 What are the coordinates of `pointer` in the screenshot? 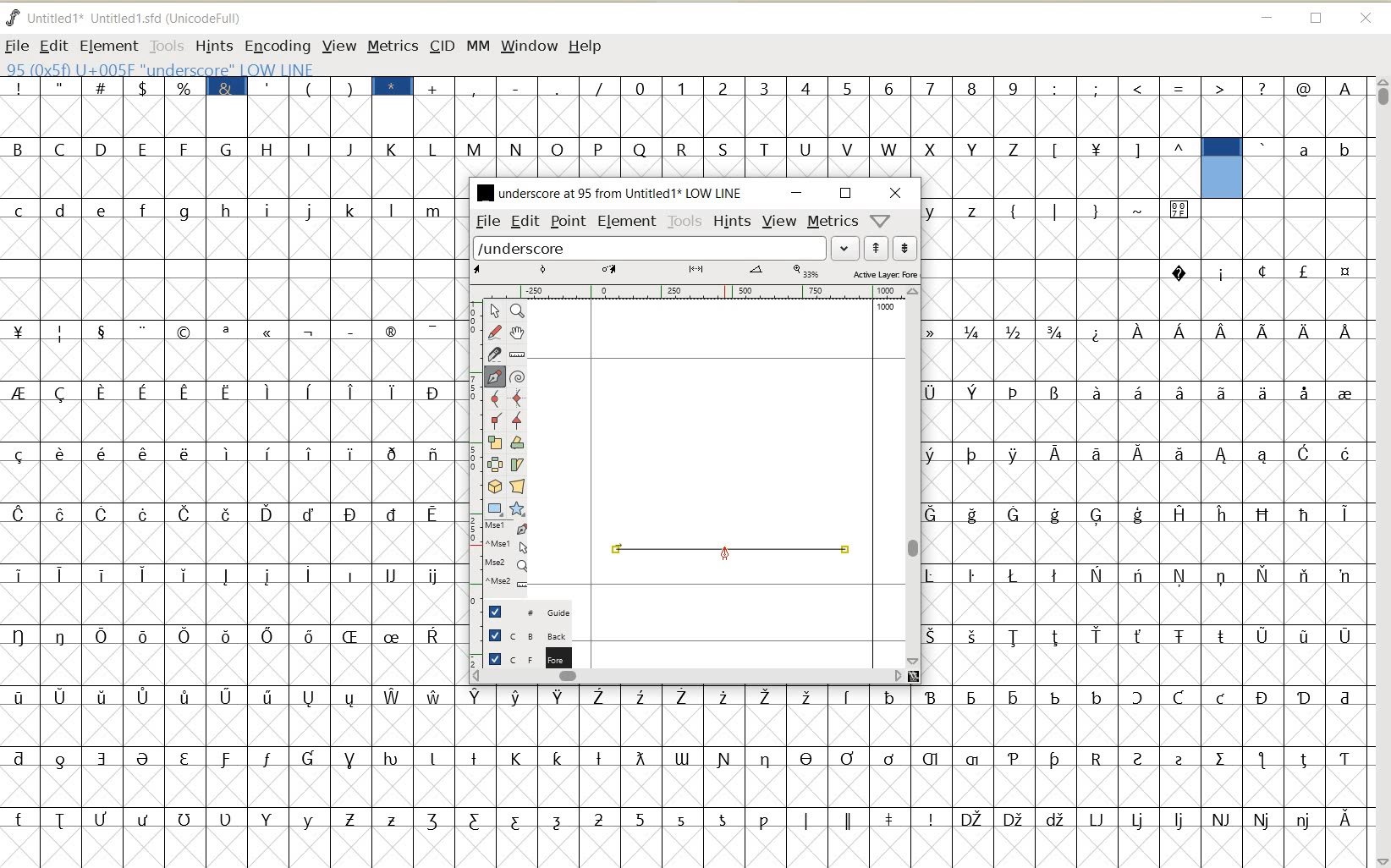 It's located at (493, 311).